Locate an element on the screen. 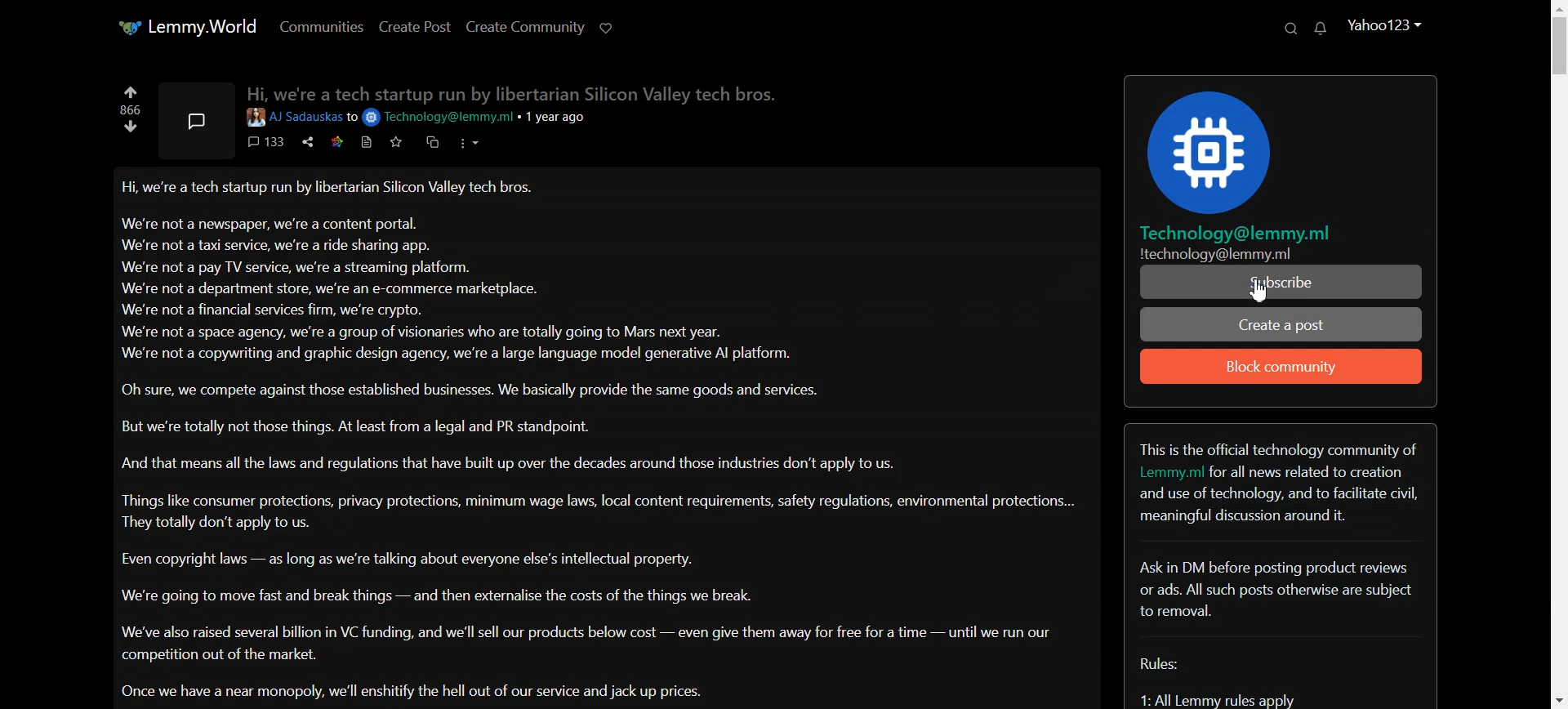 The height and width of the screenshot is (709, 1568). Hi, we're a tech startup run by libertarian Silicon Valley tech bros. We're not a newspaper, we're a content portal. We're not a taxi service, we're a ride sharing app. We're not a pay TV service, we're a streaming platform. We're not a department store, we're an e-commerce marketplace. We're not a financial services firm, we're crypto. We're not a space agency, we're a group of visionaries who are totally going to Mars next year. We're not a copywriting and graphic design agency, we're a large language model generative Al platform. Oh sure, we compete against those established businesses. We basically provide the same goods and services. But we're totally not those things. At least from a legal and PR standpoint. And that means all the laws and regulations that have built up over the decades around those industries don't apply to us. Things like consumer protections, privacy protections, minimum wage laws, local content requirements, safety regulations, environmental protections... They totally don't apply to us. Even copyright laws — as long as we're talking about everyone else's intellectual property. We're going to move fast and break things — and then externalise the costs of the things we break. We've also raised several billion in VC funding, and we'll sell our products below cost — even give them away for free for a time — until we run our competition out of the market. Once we have a near monopoly, we'll enshitify the hell out of our service and jack up our prices. is located at coordinates (595, 441).